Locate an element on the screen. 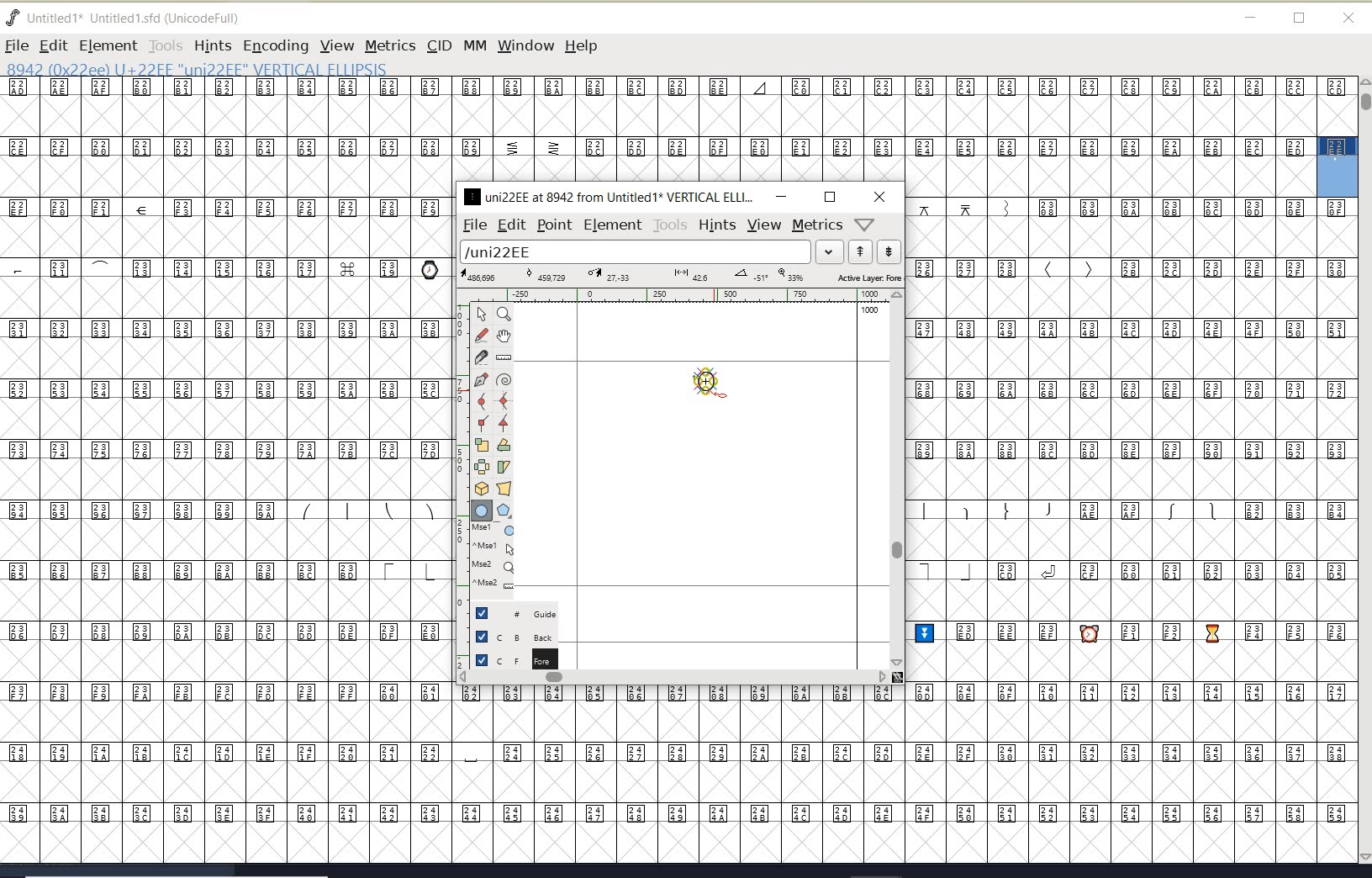  draw a freehand curve is located at coordinates (483, 335).